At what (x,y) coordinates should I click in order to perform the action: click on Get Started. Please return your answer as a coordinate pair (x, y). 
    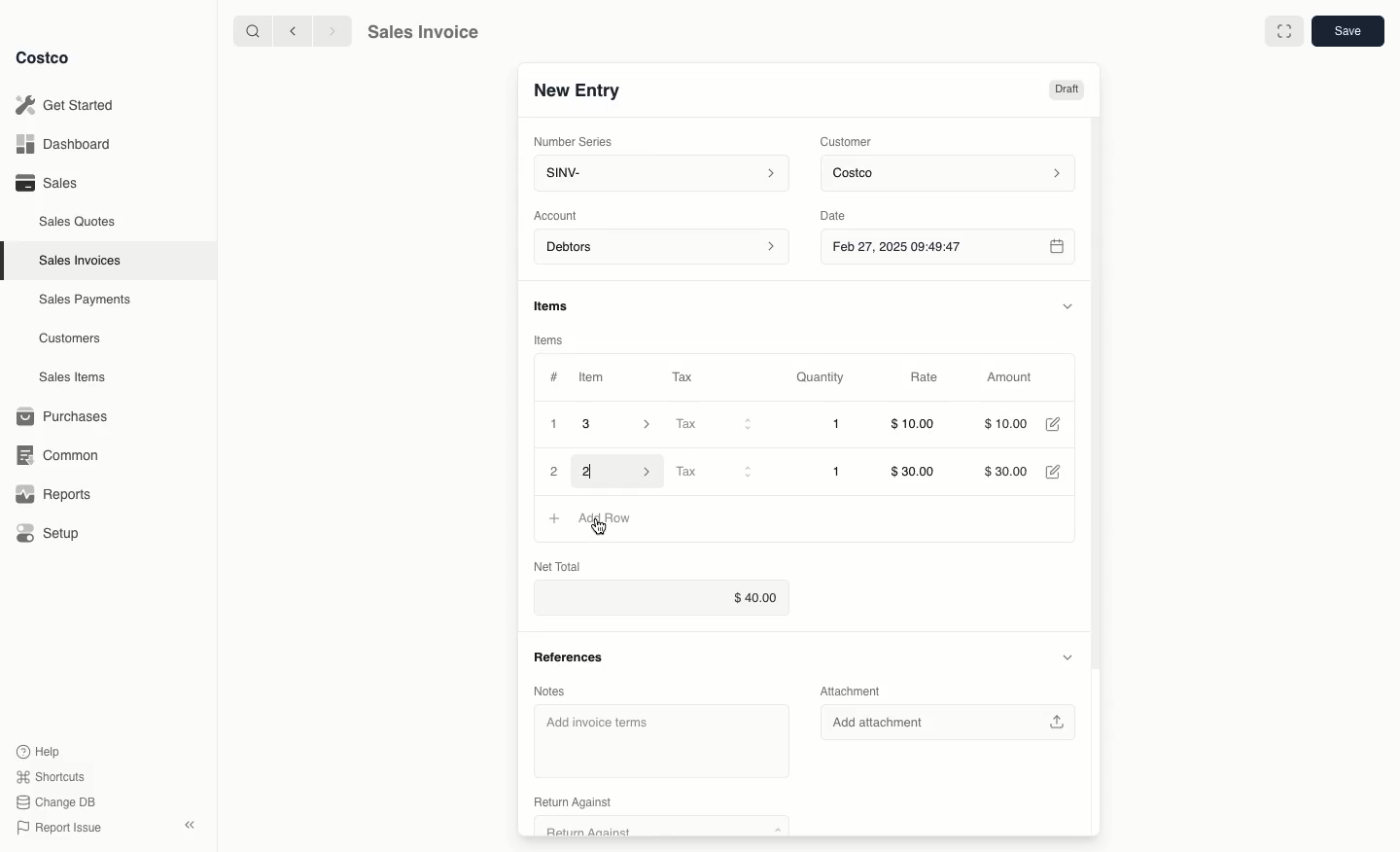
    Looking at the image, I should click on (68, 105).